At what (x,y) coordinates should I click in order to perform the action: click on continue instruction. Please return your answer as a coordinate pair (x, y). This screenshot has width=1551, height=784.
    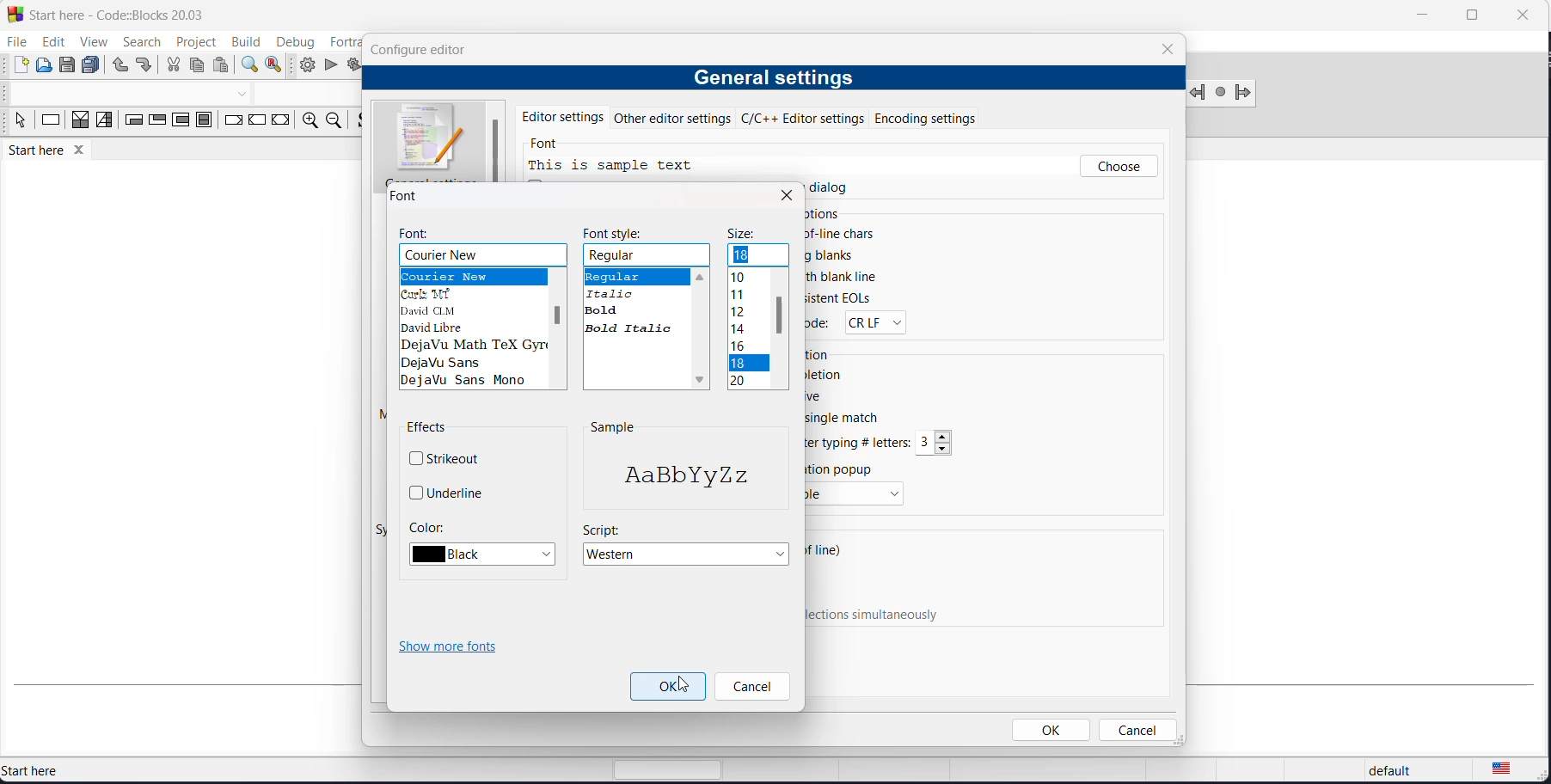
    Looking at the image, I should click on (259, 121).